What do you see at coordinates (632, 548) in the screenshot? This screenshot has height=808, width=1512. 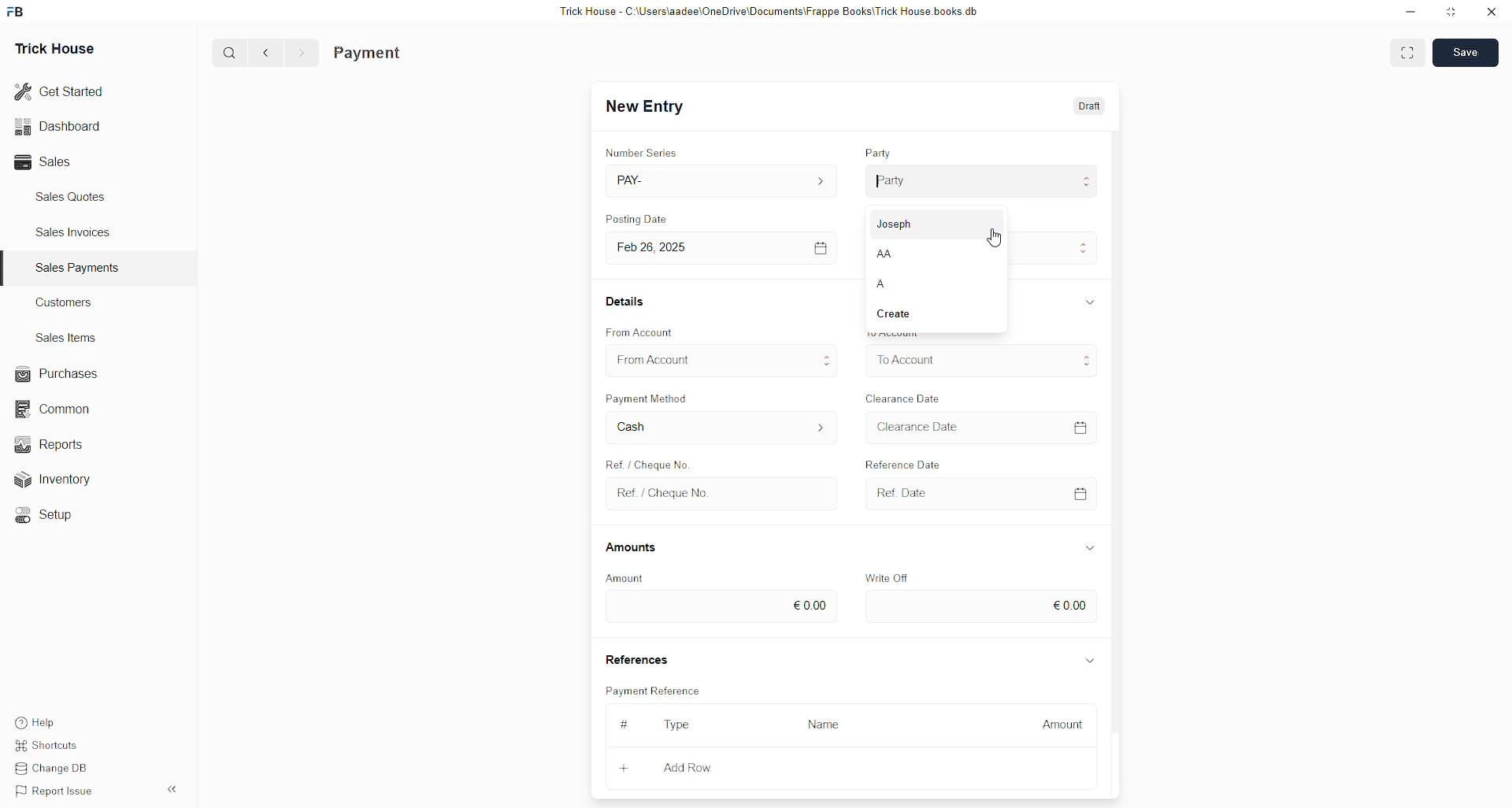 I see `Amounts` at bounding box center [632, 548].